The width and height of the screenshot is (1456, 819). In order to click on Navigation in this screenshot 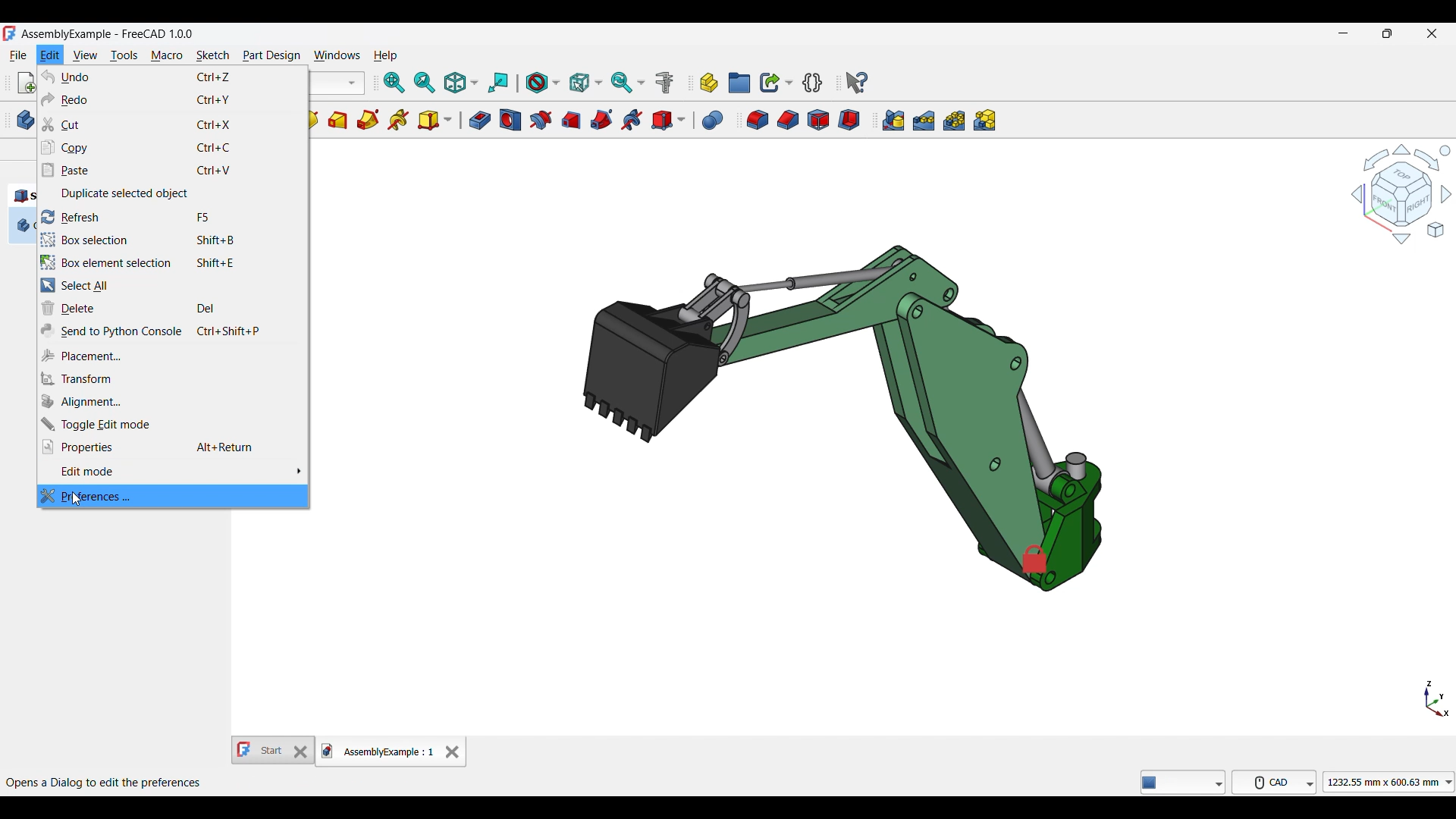, I will do `click(1401, 193)`.